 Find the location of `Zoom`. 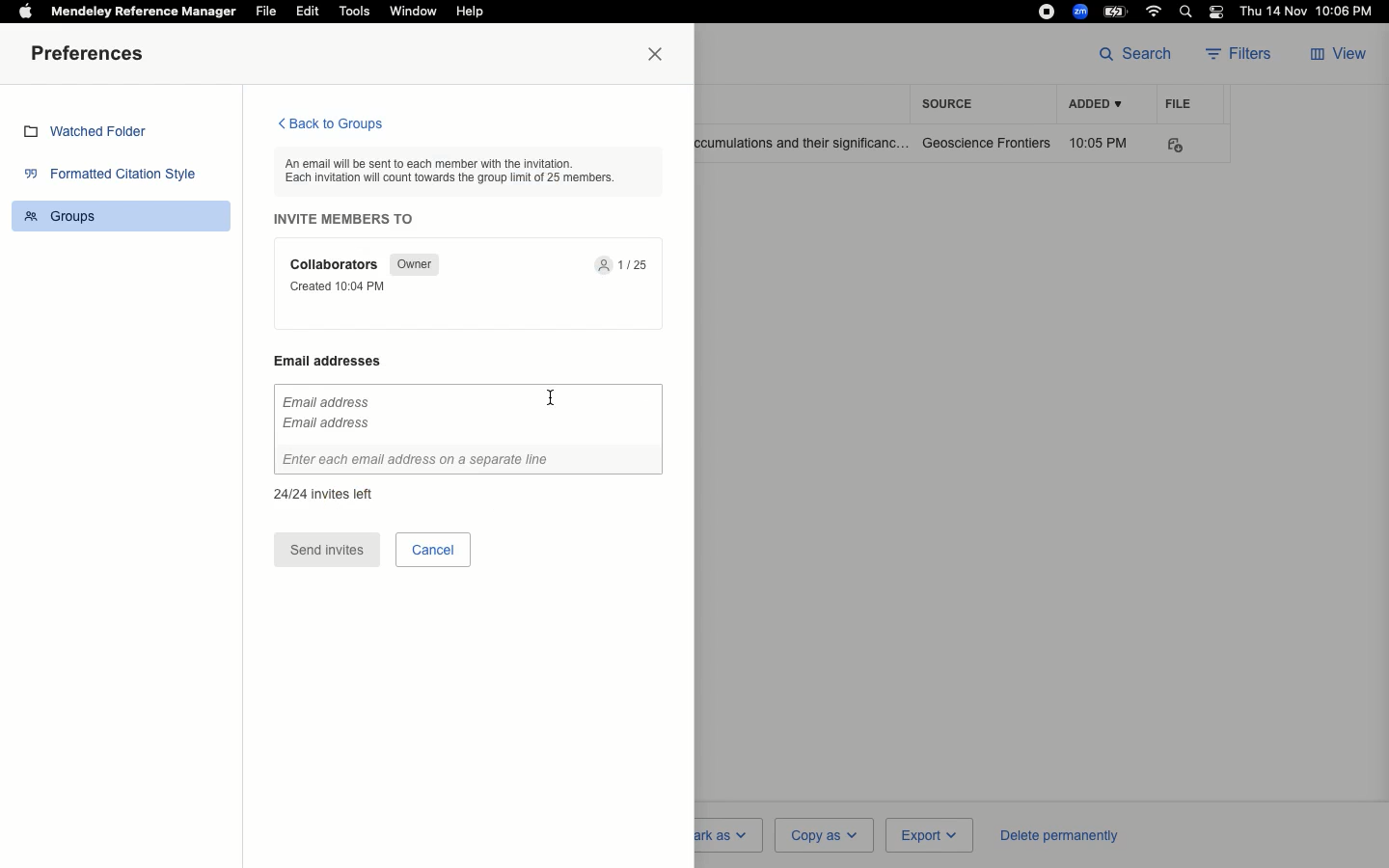

Zoom is located at coordinates (1081, 12).